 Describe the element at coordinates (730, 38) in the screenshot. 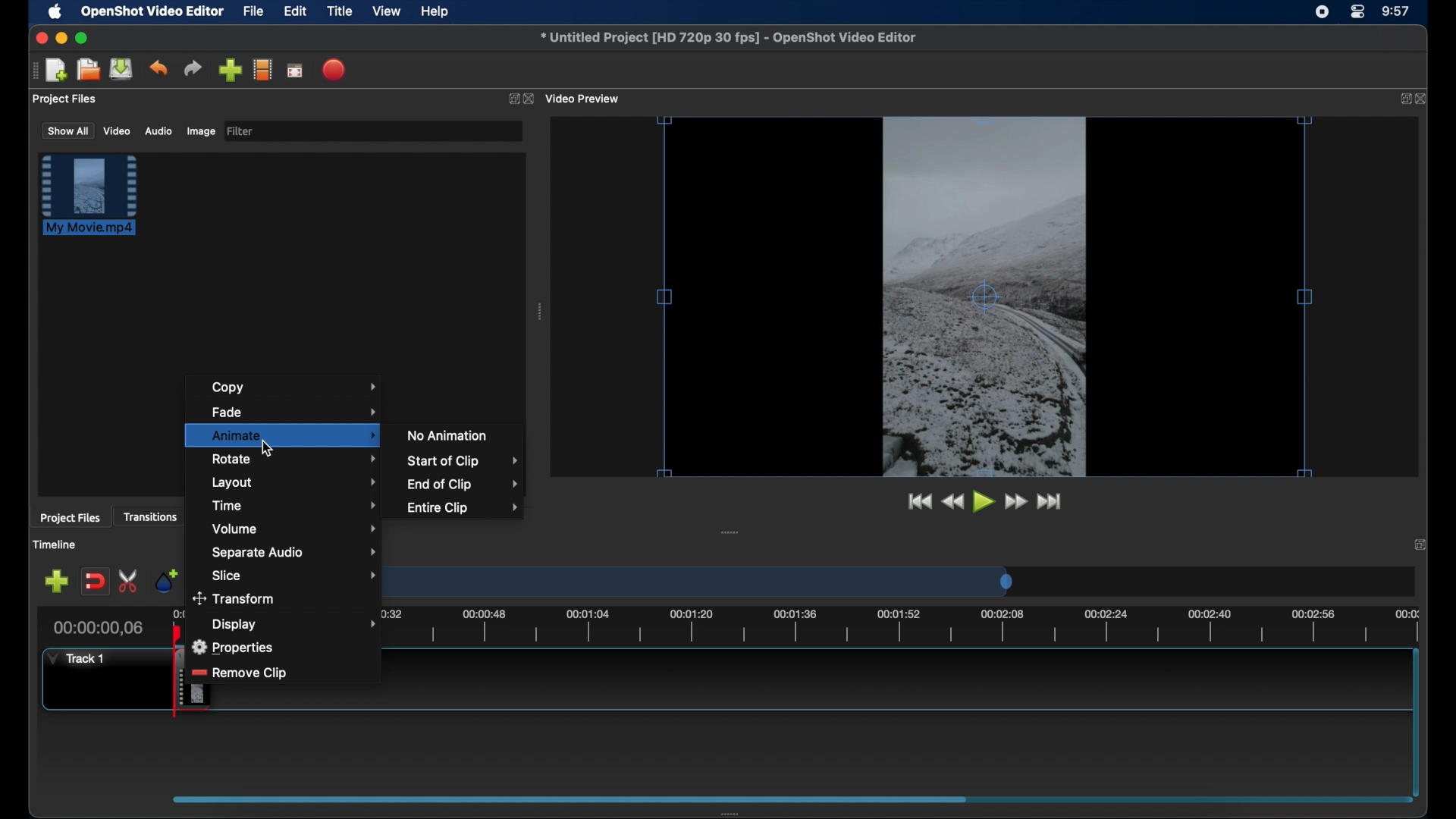

I see `file name` at that location.